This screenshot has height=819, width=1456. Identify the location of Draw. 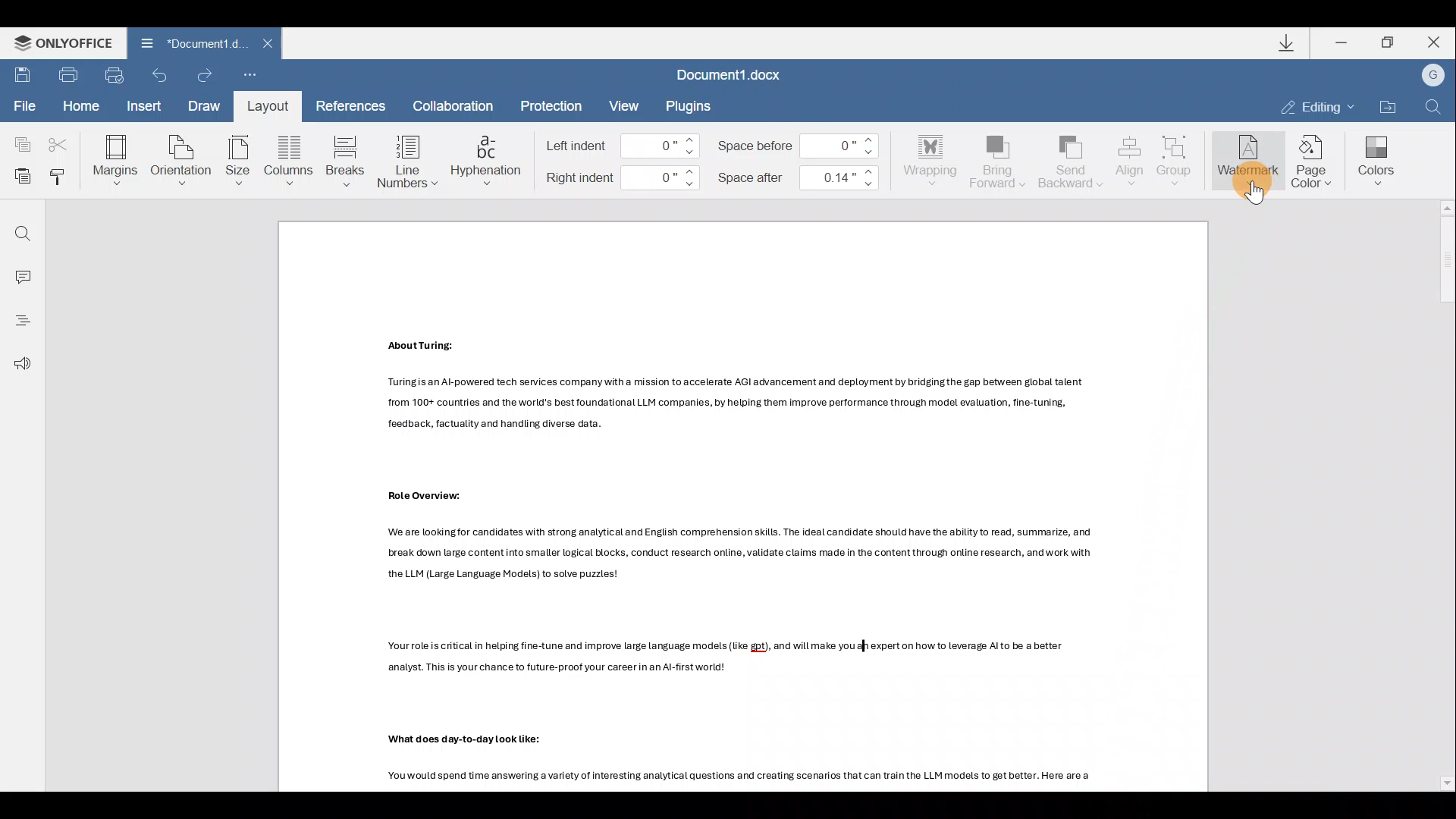
(205, 108).